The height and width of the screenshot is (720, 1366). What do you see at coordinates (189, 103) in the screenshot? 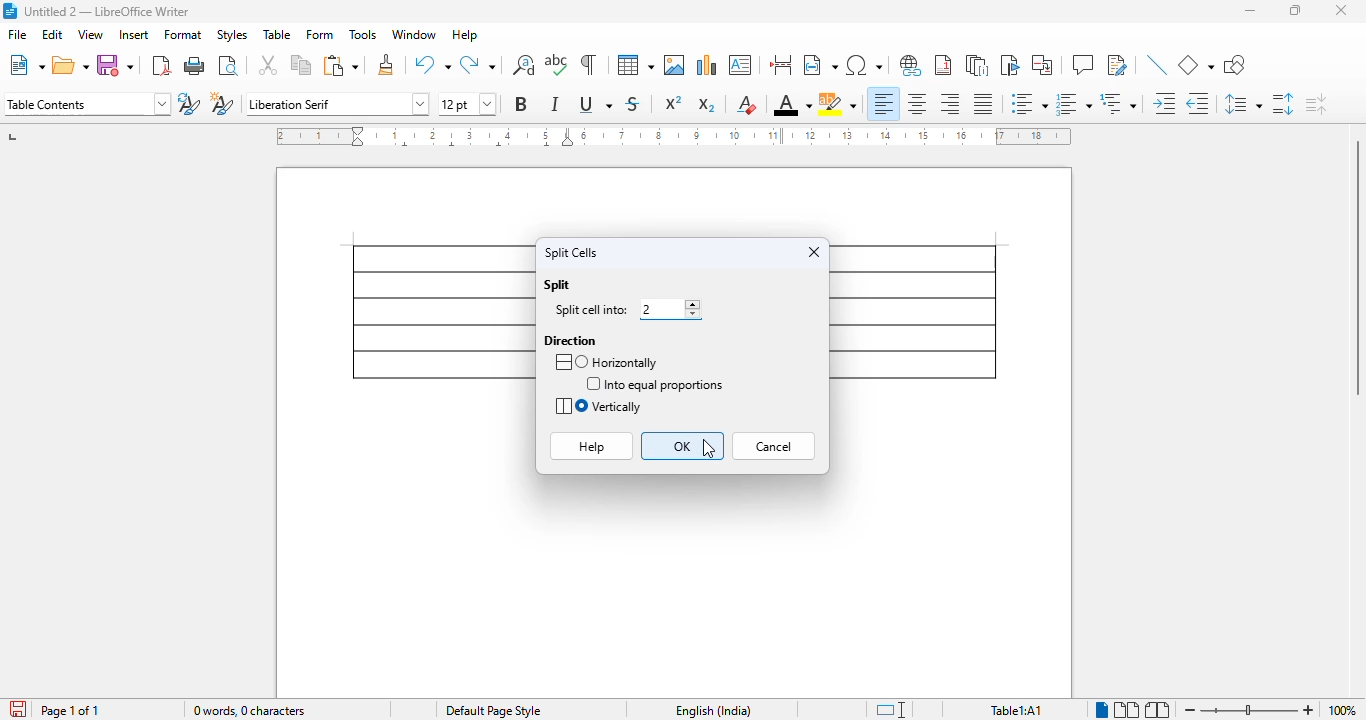
I see `update selected style` at bounding box center [189, 103].